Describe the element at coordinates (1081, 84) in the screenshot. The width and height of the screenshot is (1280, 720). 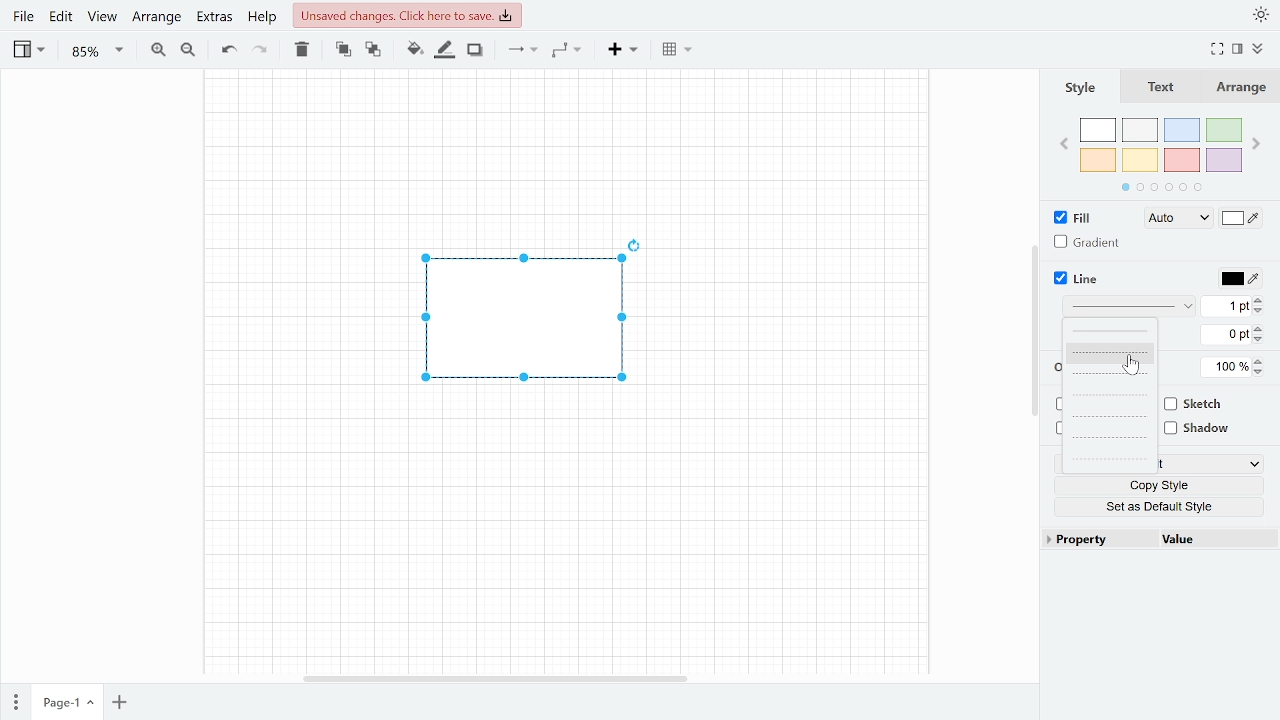
I see `Style` at that location.